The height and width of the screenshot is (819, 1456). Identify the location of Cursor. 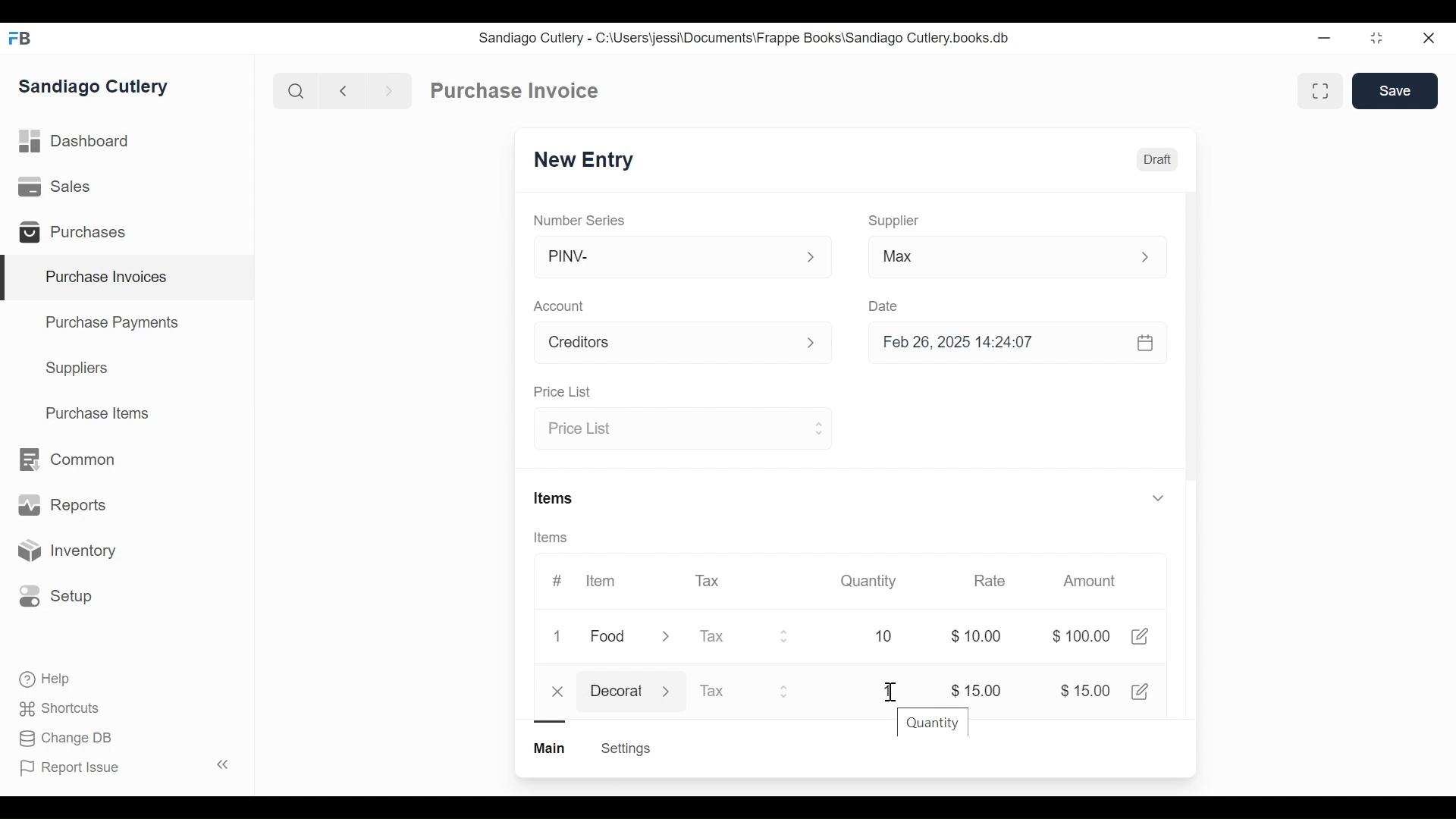
(889, 694).